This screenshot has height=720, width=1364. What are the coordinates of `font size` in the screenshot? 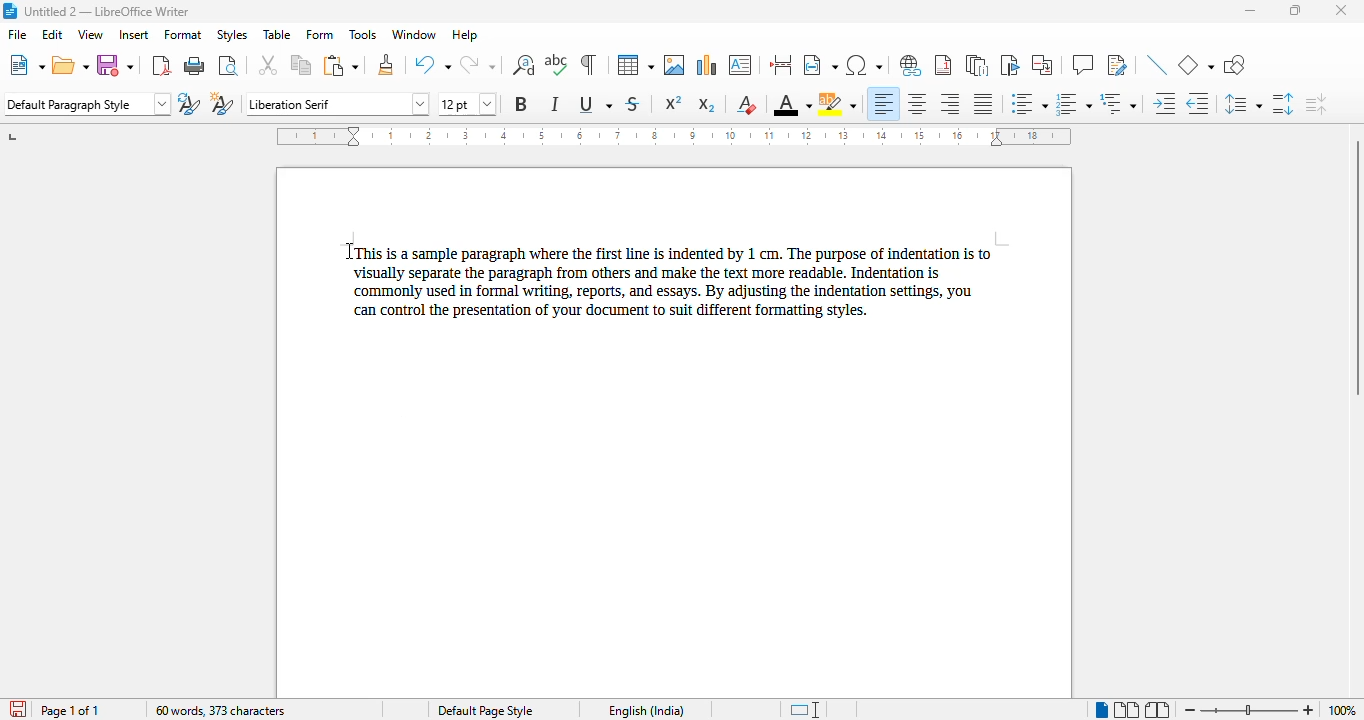 It's located at (467, 104).